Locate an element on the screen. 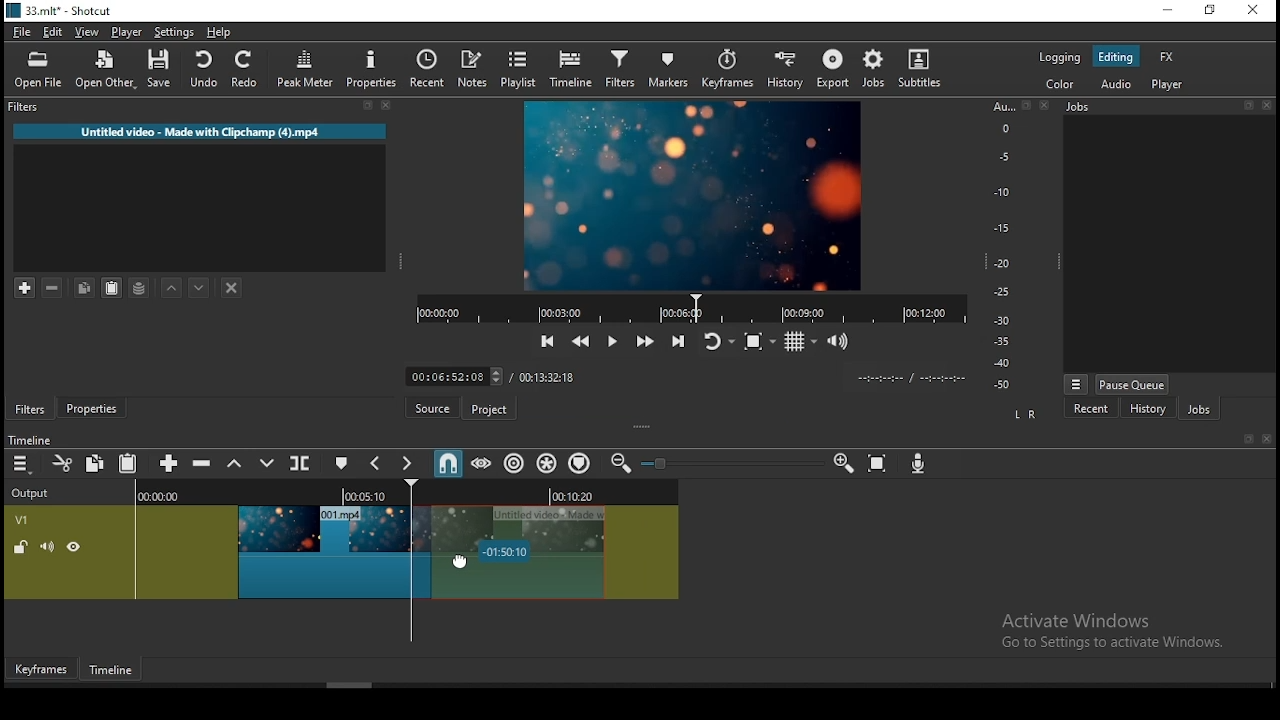 The height and width of the screenshot is (720, 1280). toggle player looping is located at coordinates (717, 342).